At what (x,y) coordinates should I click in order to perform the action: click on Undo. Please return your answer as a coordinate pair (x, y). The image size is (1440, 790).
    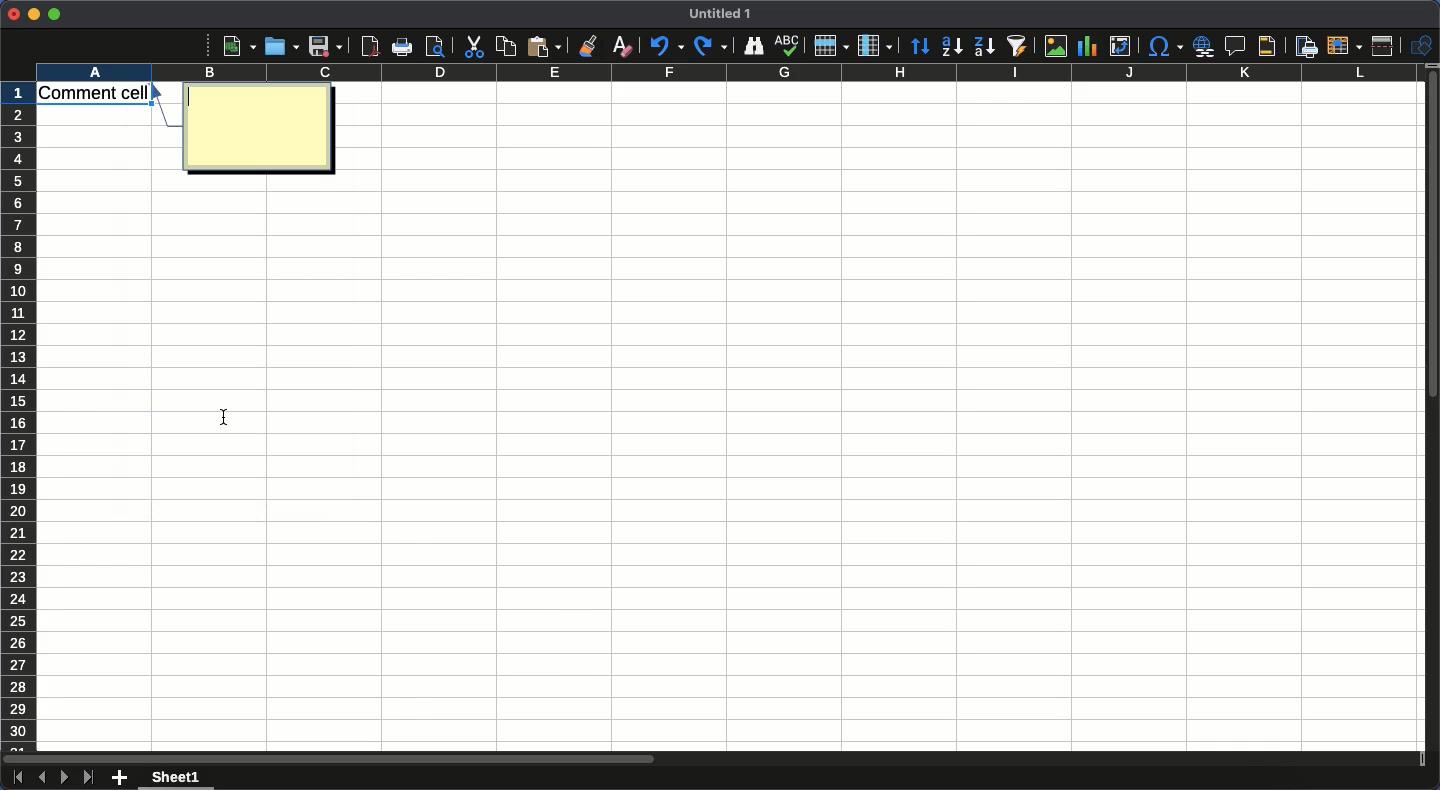
    Looking at the image, I should click on (666, 46).